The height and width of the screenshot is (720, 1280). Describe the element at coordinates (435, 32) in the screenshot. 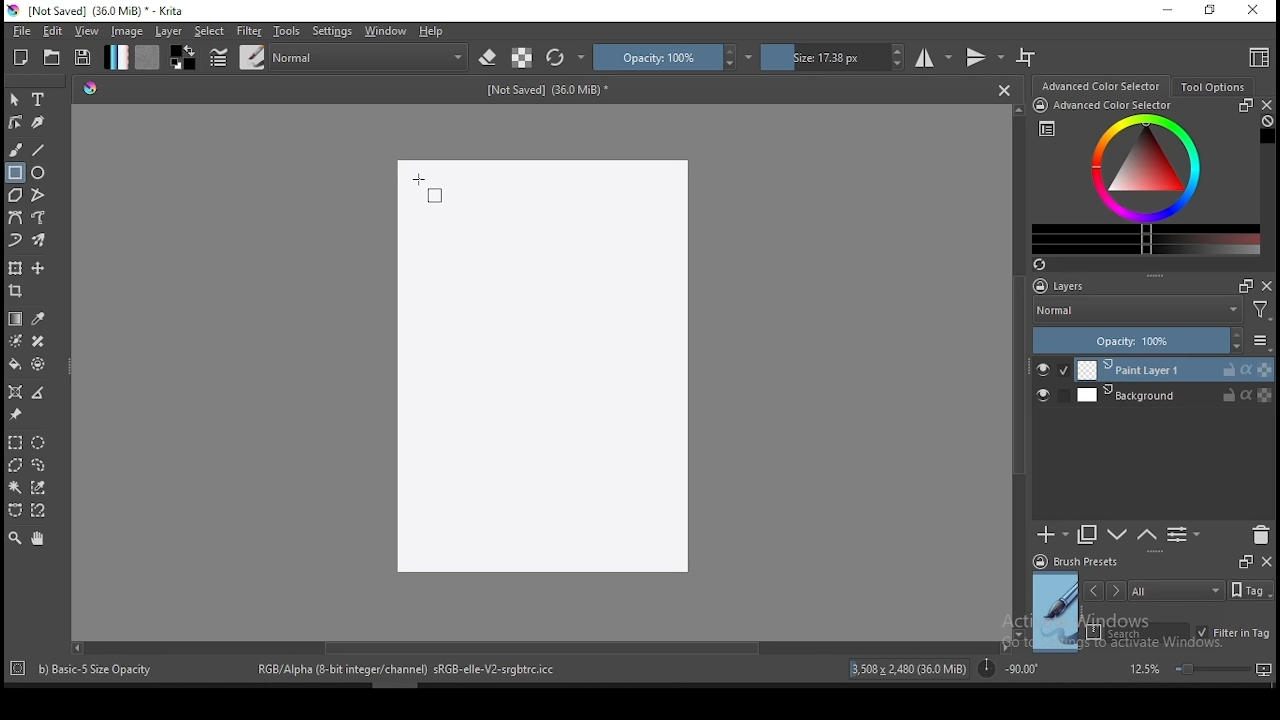

I see `help` at that location.